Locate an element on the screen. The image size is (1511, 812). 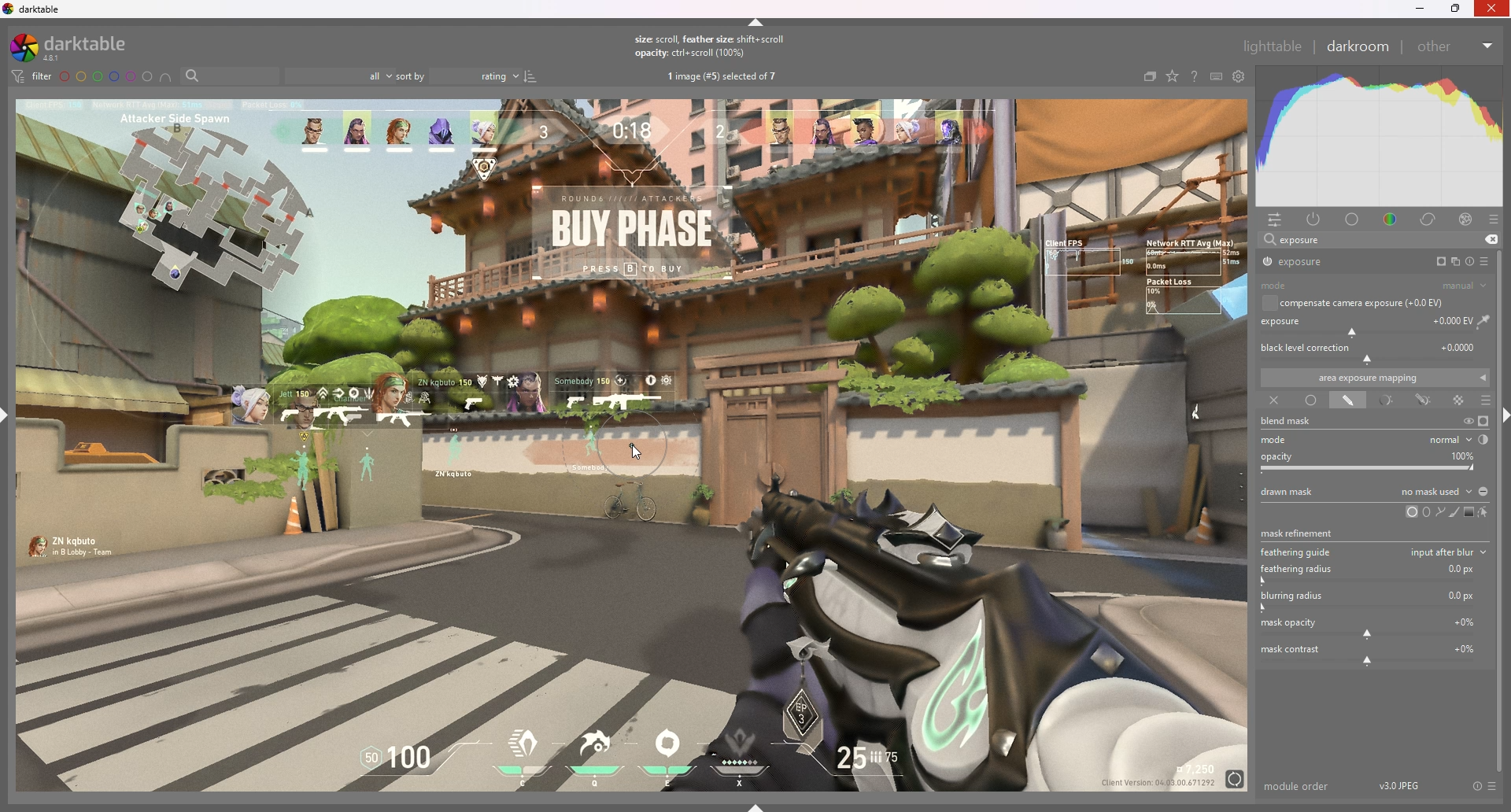
multiple instances action is located at coordinates (1451, 262).